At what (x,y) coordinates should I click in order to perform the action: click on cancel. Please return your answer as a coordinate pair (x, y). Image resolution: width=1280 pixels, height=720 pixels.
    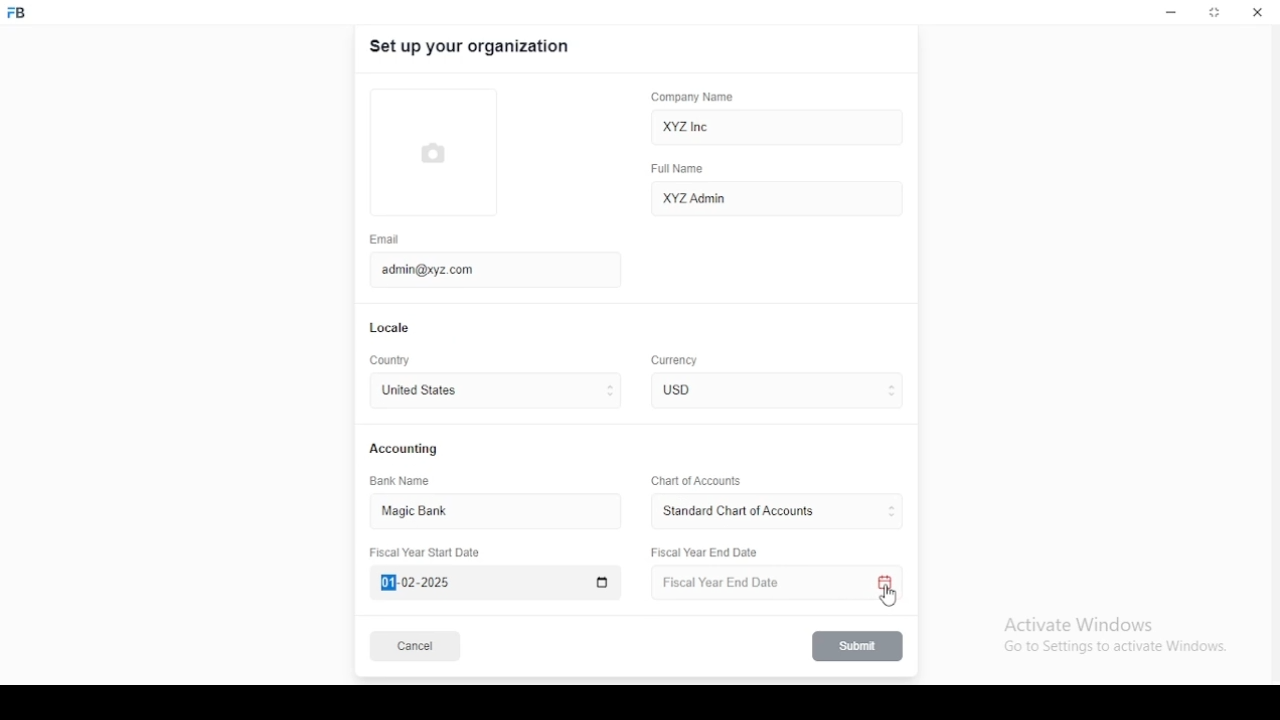
    Looking at the image, I should click on (415, 647).